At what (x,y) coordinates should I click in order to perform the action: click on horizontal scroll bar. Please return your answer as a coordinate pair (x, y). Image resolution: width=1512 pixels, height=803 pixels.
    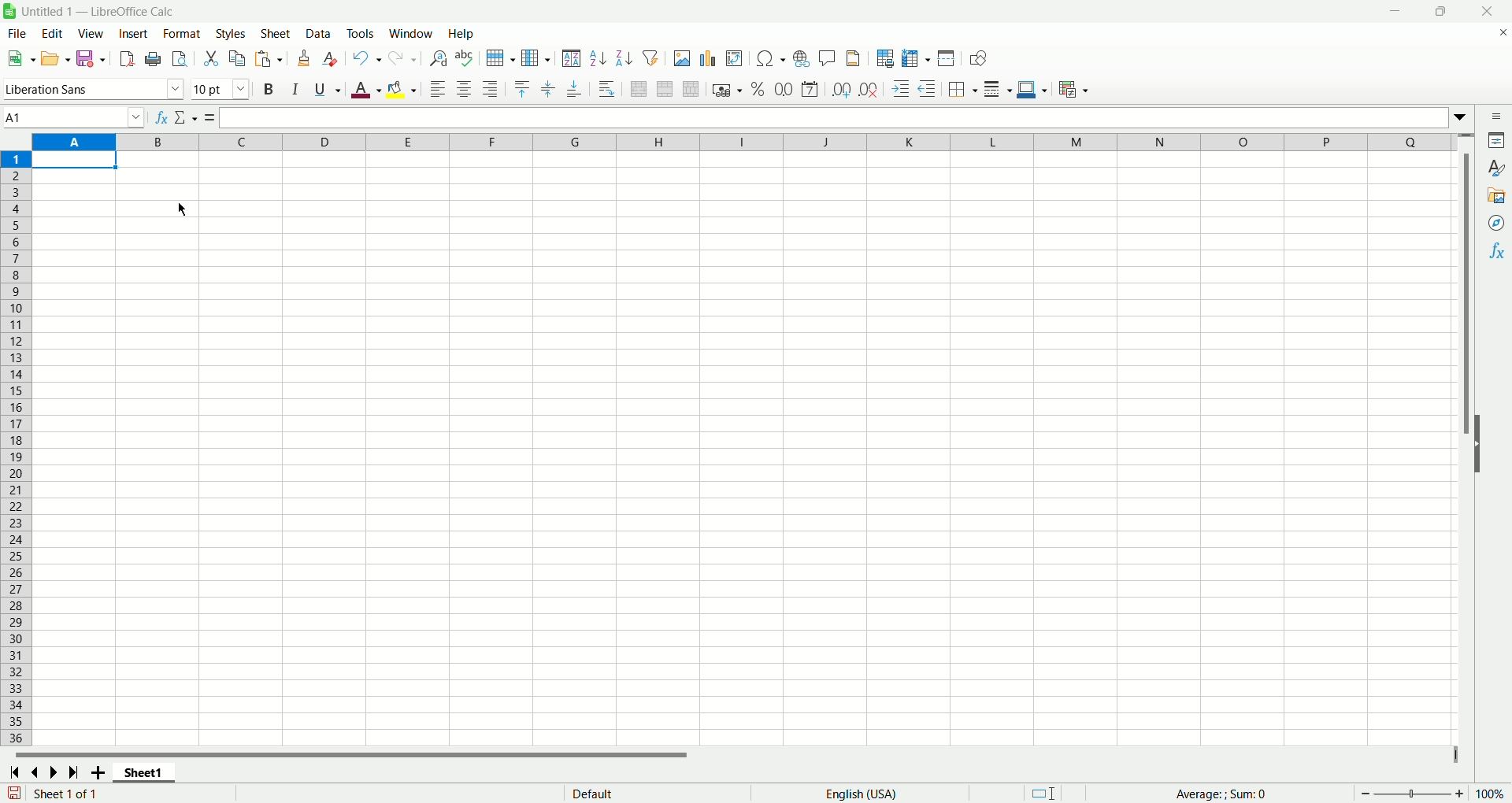
    Looking at the image, I should click on (726, 755).